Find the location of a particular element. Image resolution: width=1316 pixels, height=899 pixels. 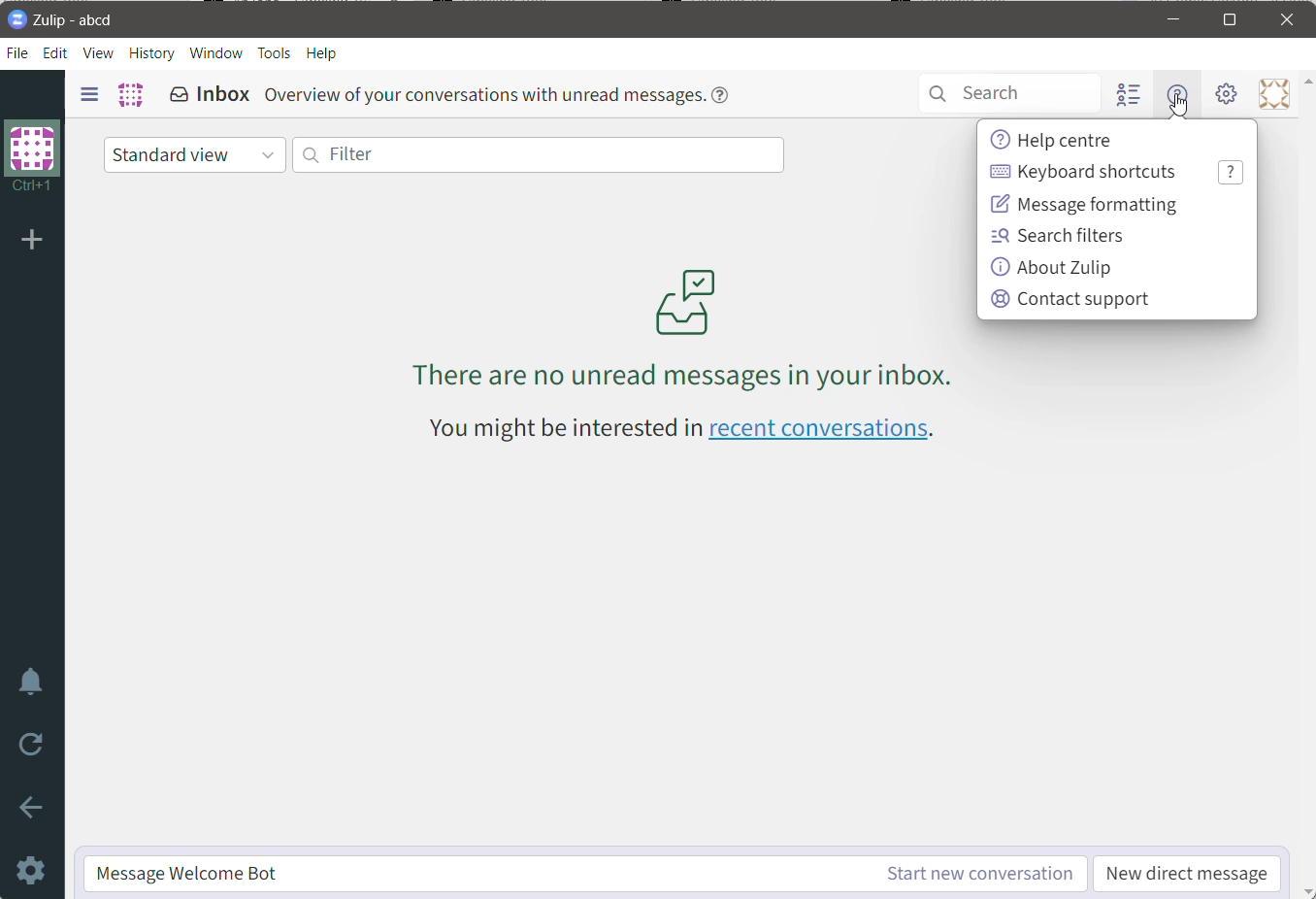

History is located at coordinates (152, 53).